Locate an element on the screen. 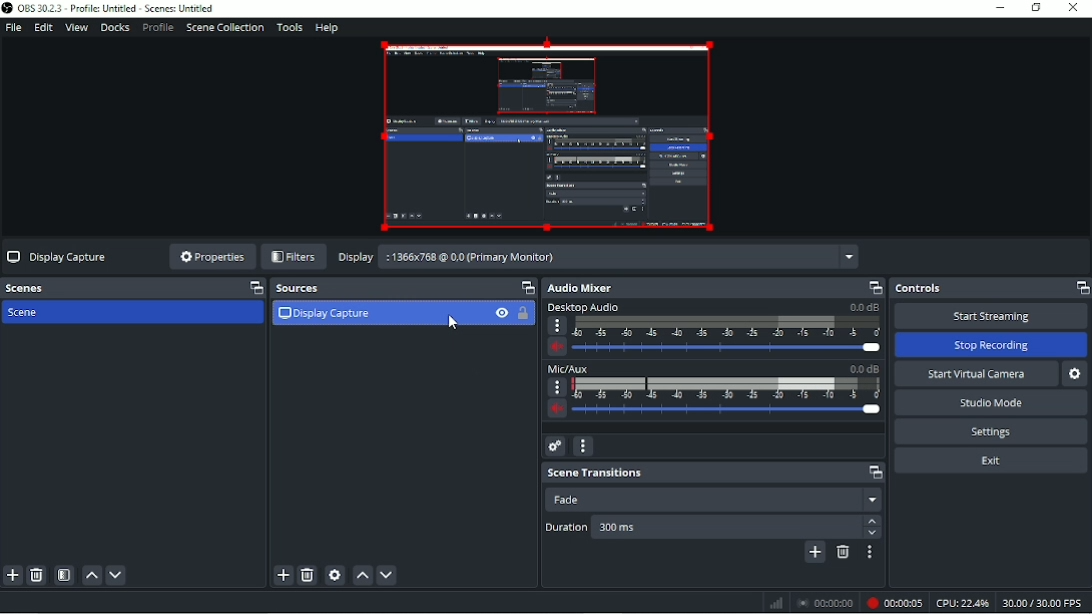 Image resolution: width=1092 pixels, height=614 pixels. Filters is located at coordinates (293, 257).